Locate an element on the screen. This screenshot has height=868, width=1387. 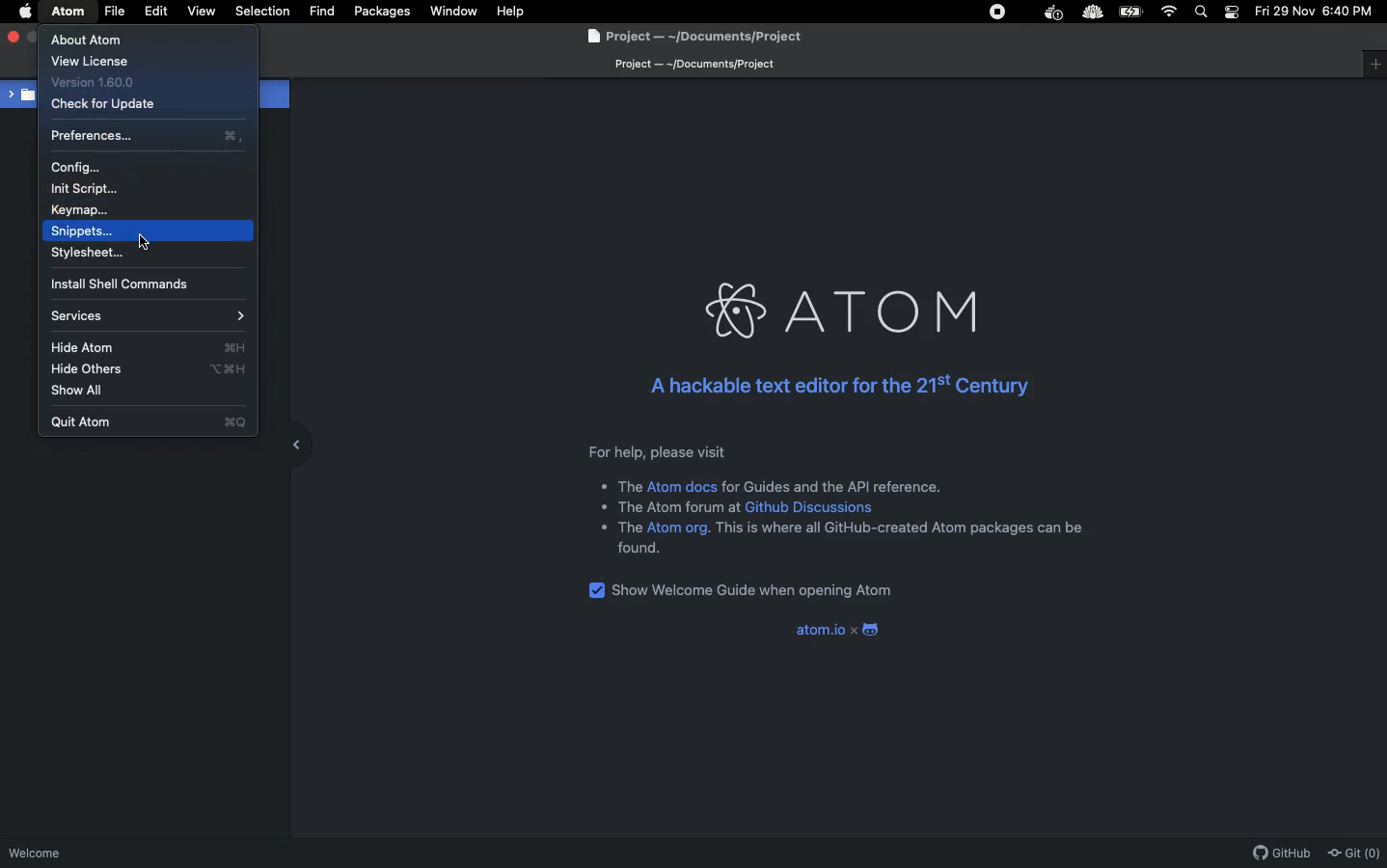
Version 1.60.0 is located at coordinates (95, 83).